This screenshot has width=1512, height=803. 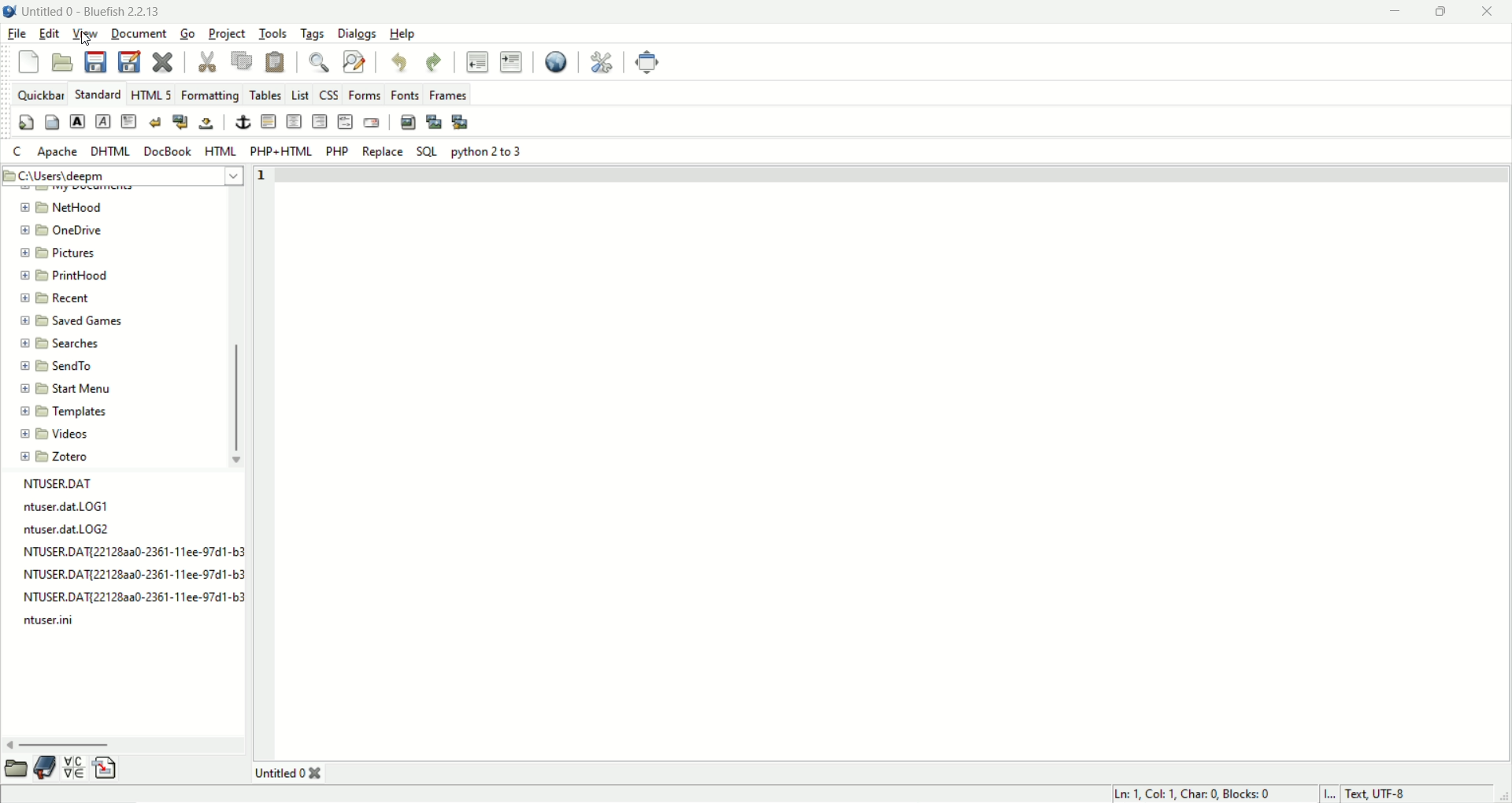 What do you see at coordinates (32, 63) in the screenshot?
I see `new` at bounding box center [32, 63].